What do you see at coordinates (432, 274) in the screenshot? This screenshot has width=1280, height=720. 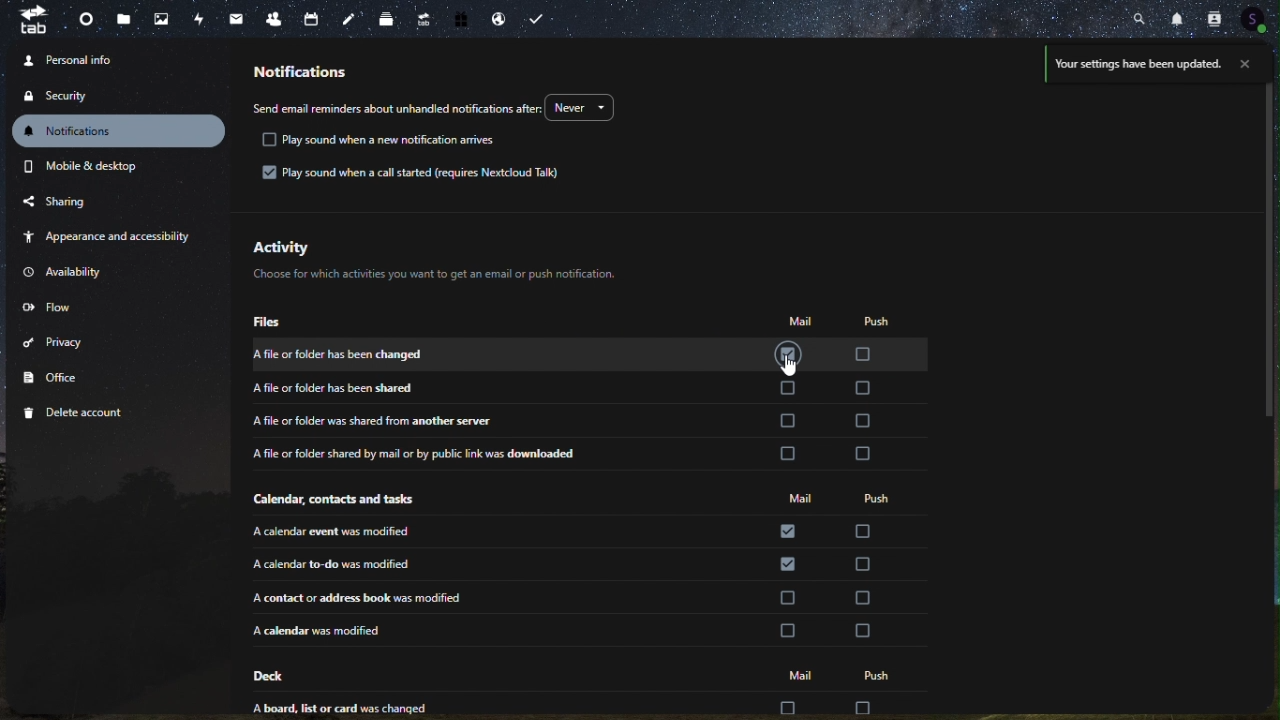 I see `text` at bounding box center [432, 274].